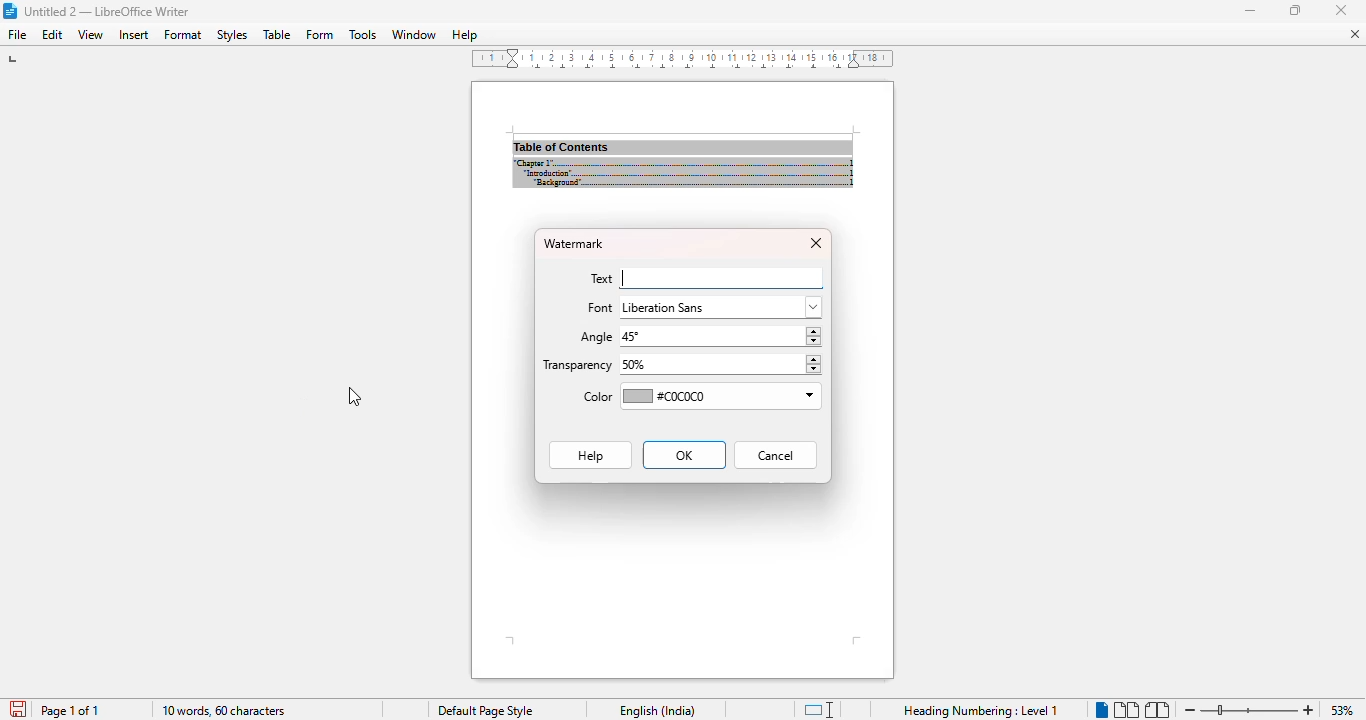 The height and width of the screenshot is (720, 1366). I want to click on edit, so click(53, 35).